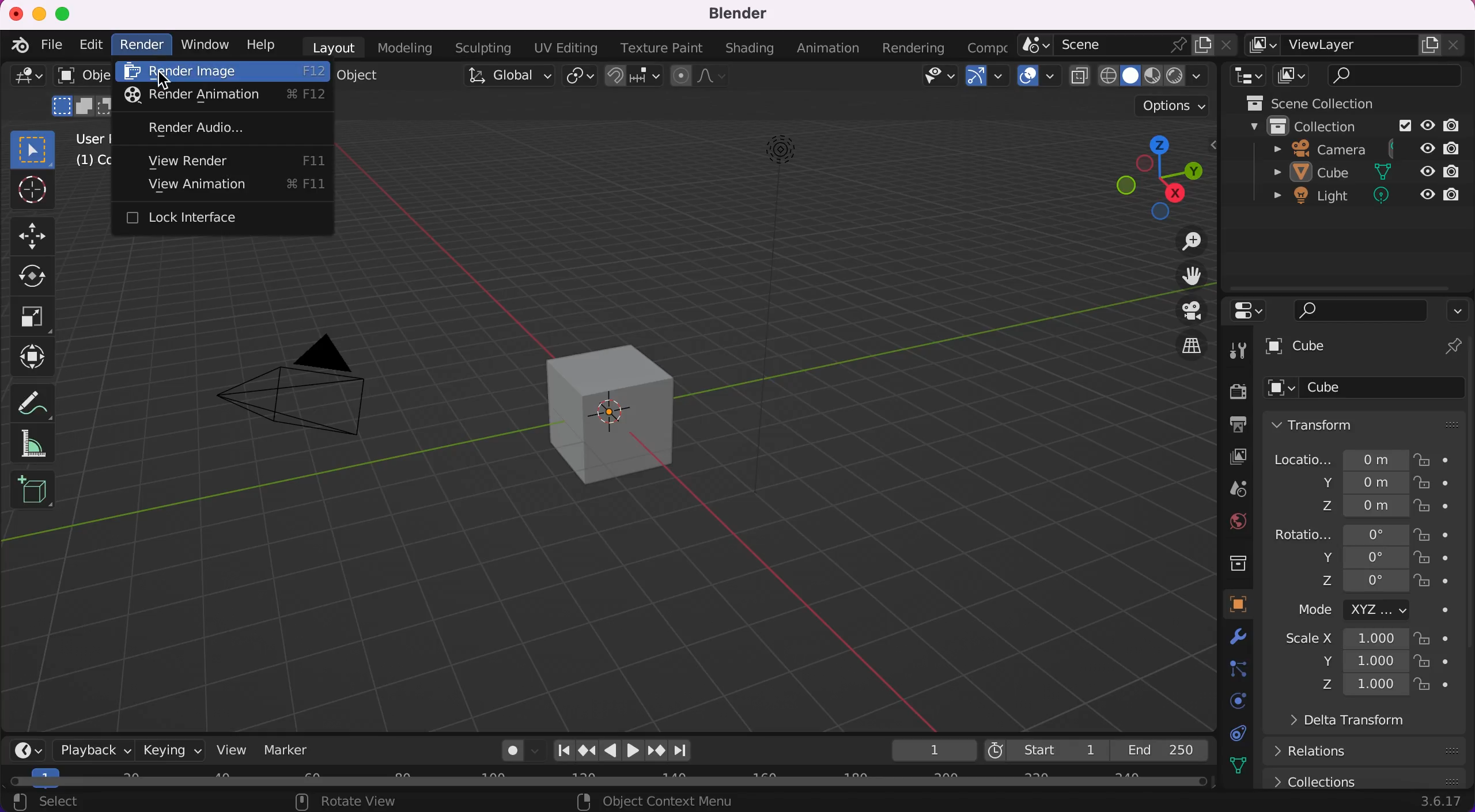  What do you see at coordinates (38, 276) in the screenshot?
I see `rotate` at bounding box center [38, 276].